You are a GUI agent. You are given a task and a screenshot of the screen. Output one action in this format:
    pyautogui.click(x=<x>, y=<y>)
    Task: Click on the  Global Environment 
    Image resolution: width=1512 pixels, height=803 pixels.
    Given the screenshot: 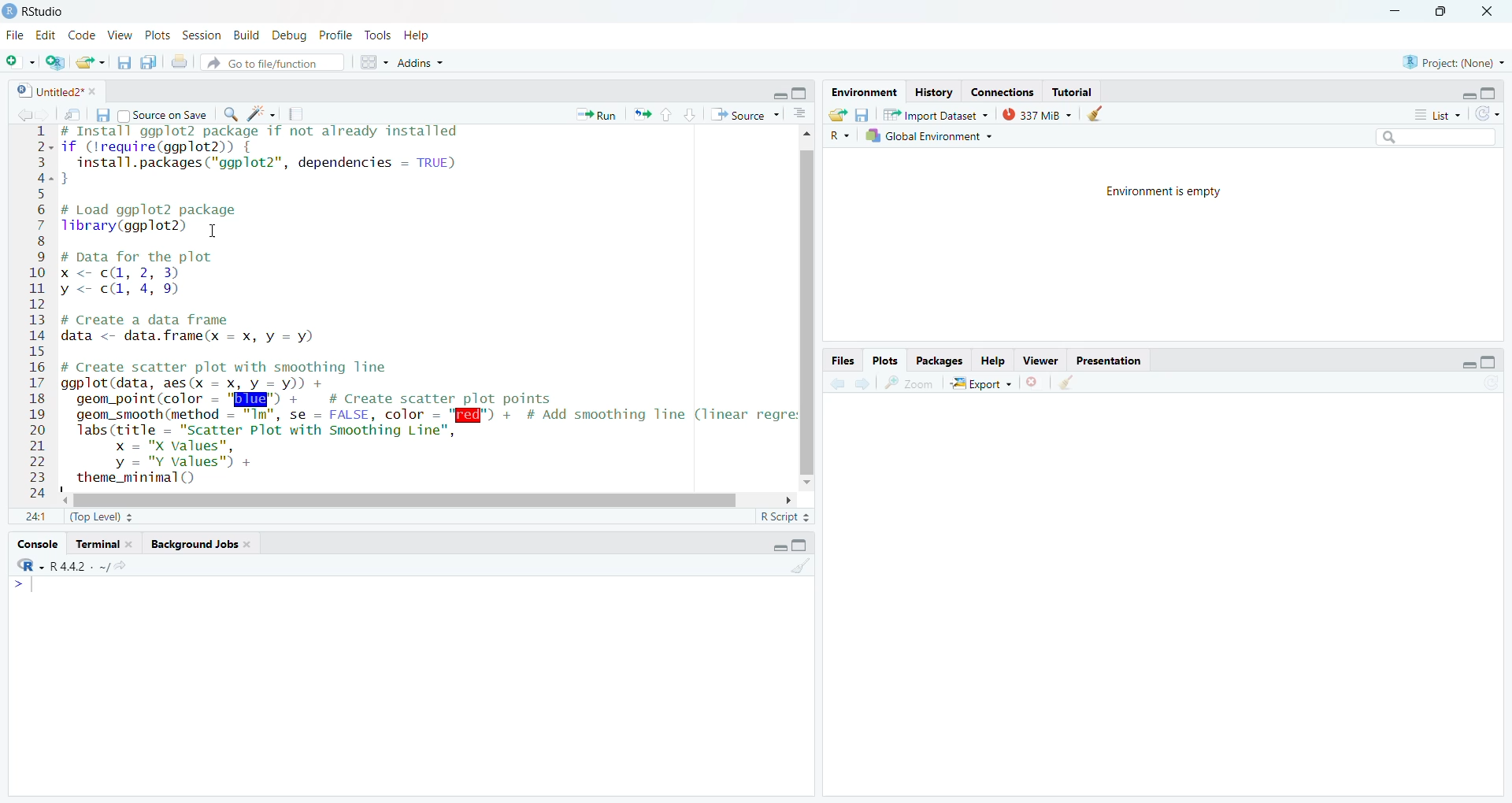 What is the action you would take?
    pyautogui.click(x=929, y=136)
    